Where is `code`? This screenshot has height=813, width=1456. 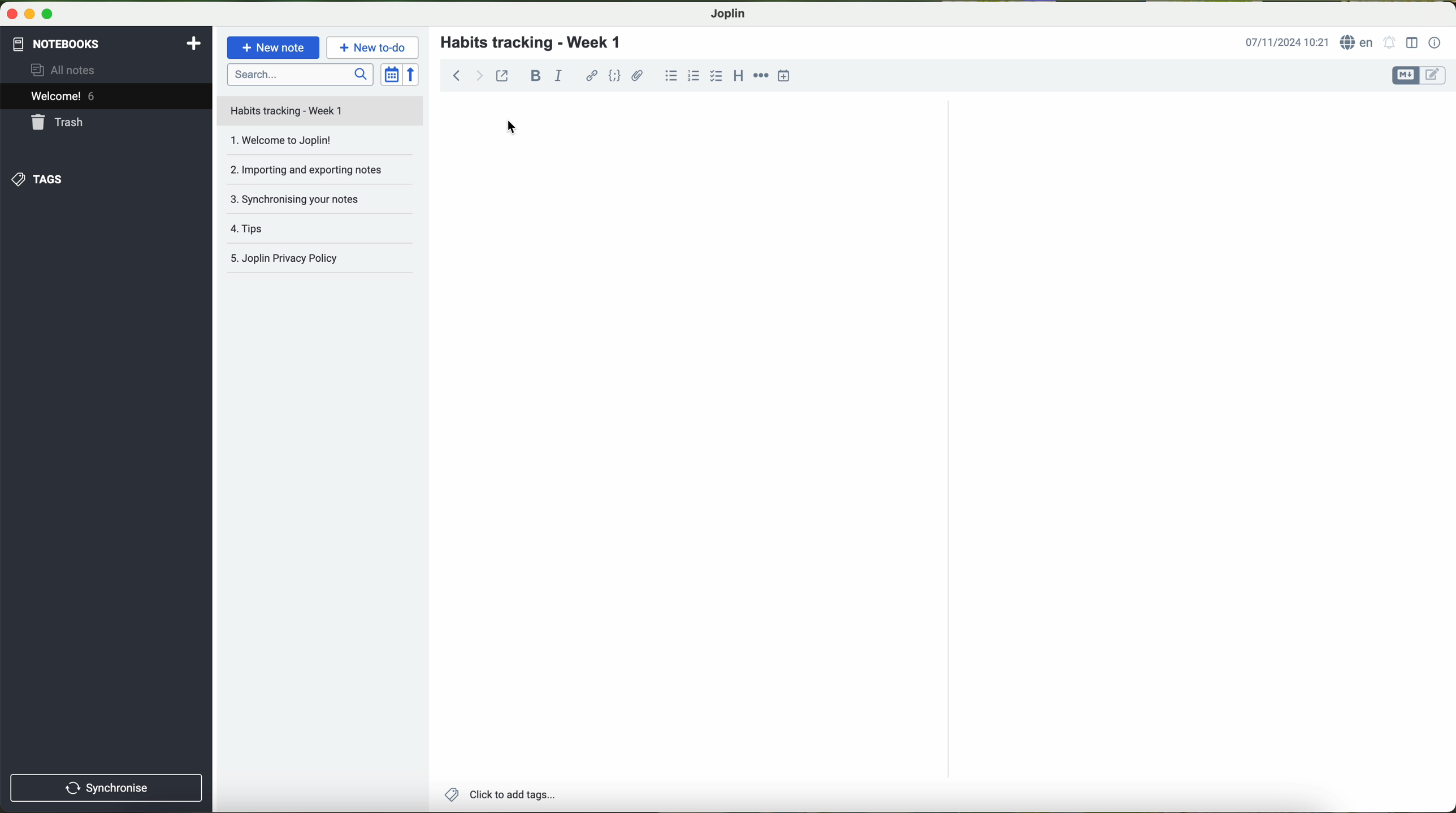
code is located at coordinates (616, 76).